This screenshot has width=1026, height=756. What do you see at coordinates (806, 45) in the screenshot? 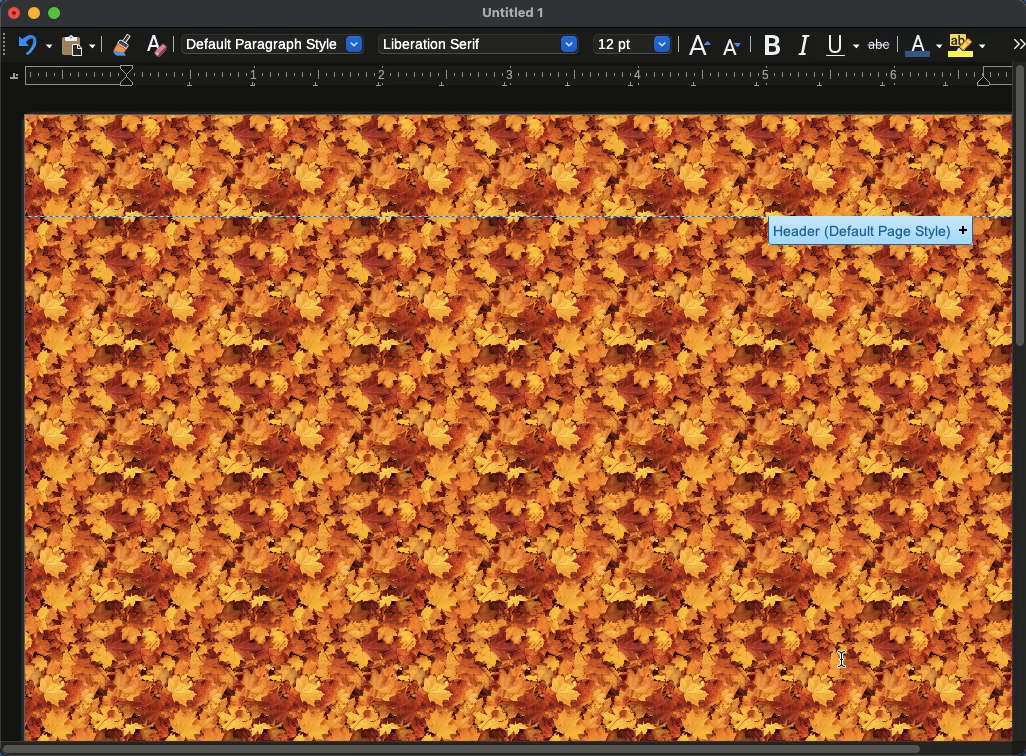
I see `italics` at bounding box center [806, 45].